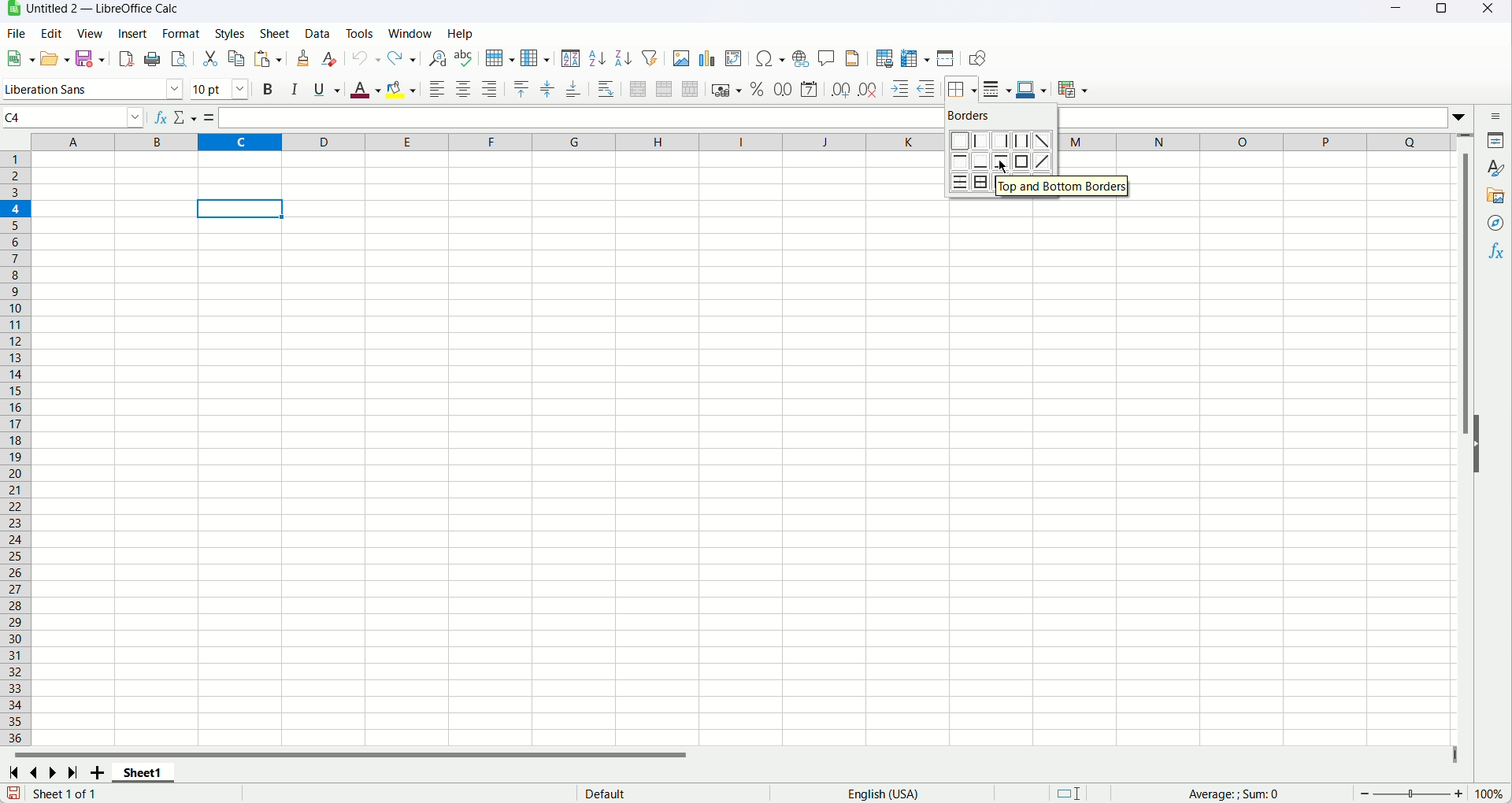 This screenshot has width=1512, height=803. I want to click on Name box, so click(75, 117).